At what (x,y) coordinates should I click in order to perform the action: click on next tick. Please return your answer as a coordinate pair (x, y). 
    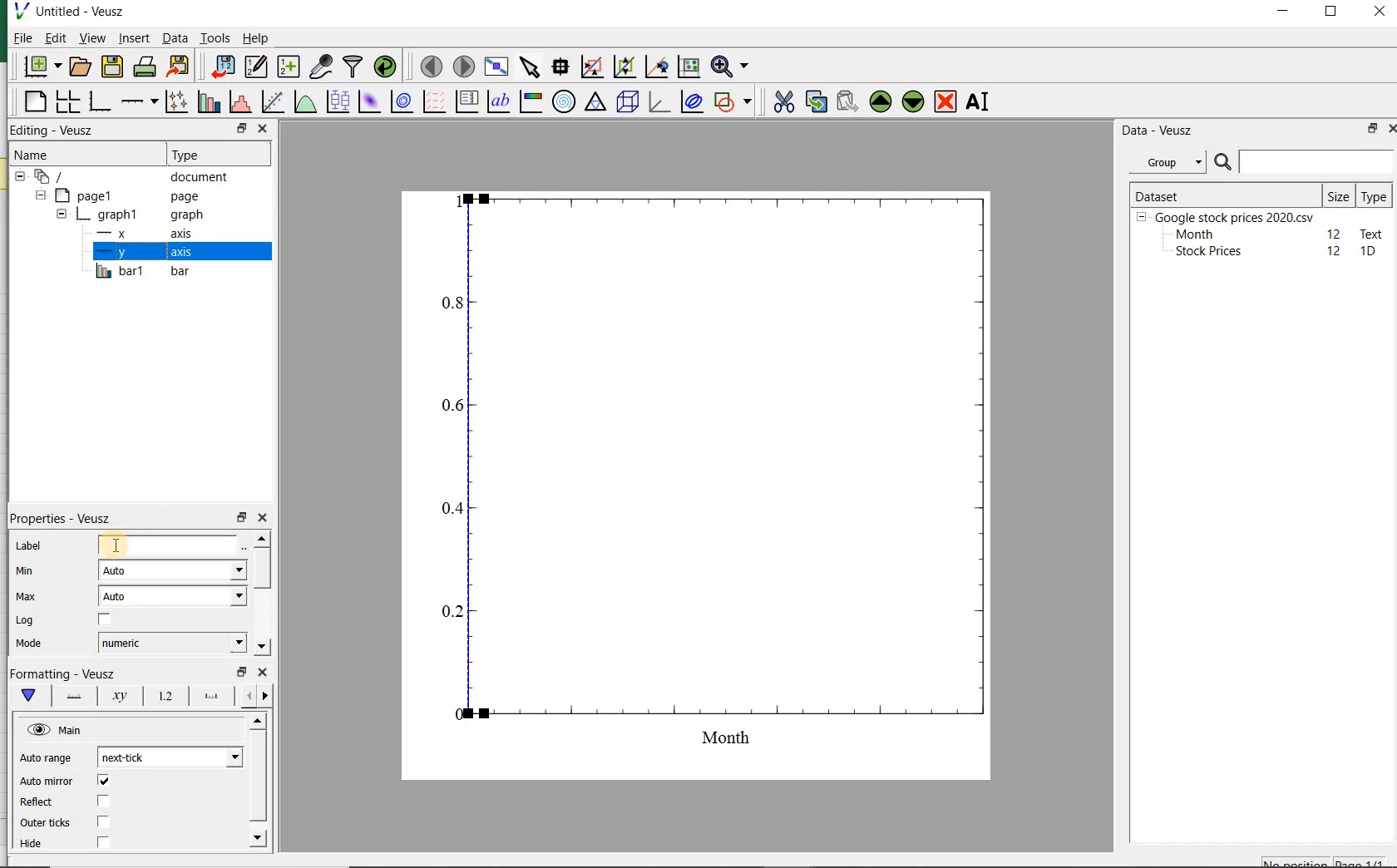
    Looking at the image, I should click on (167, 757).